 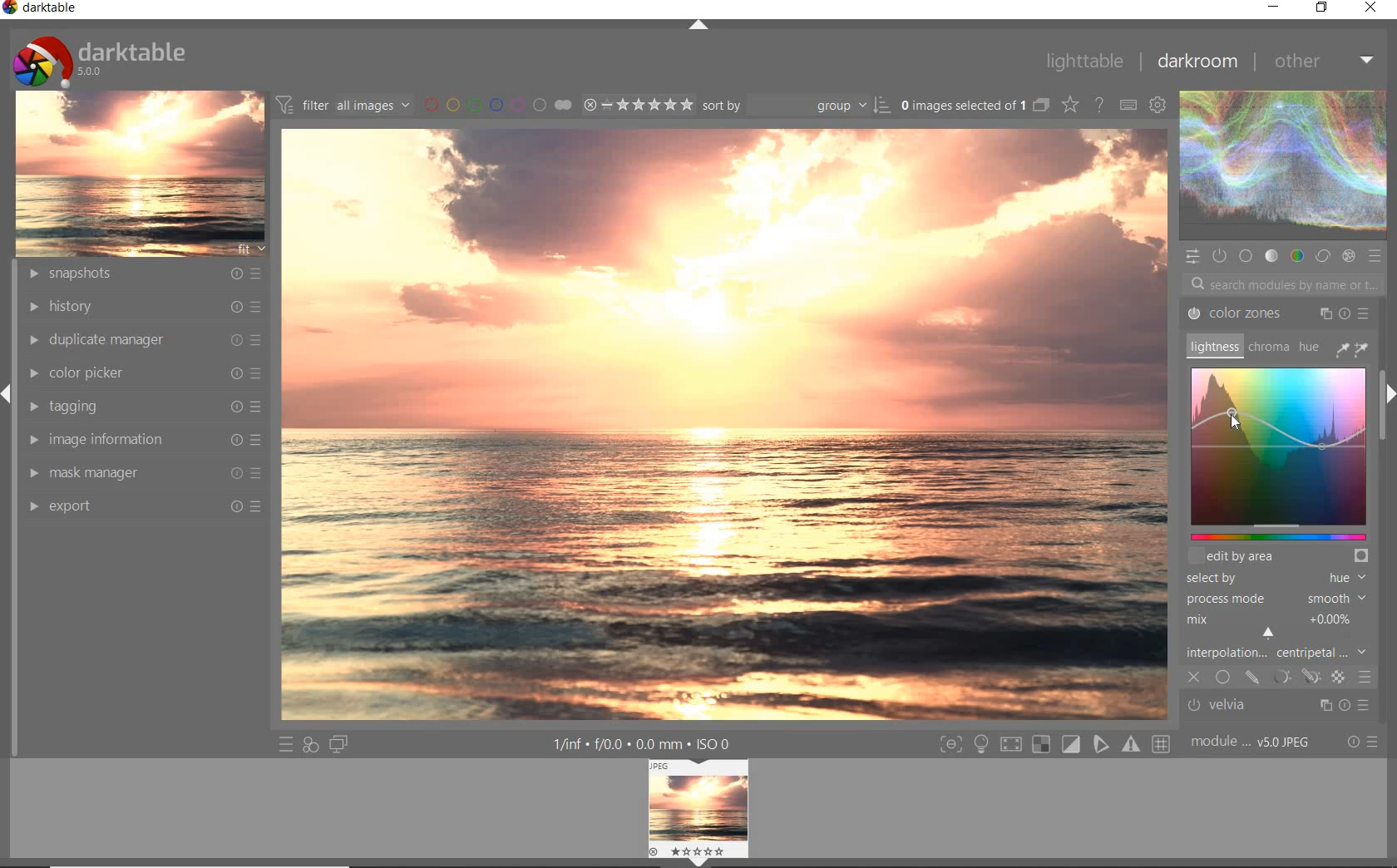 I want to click on SELECTED BY HUE, so click(x=1276, y=578).